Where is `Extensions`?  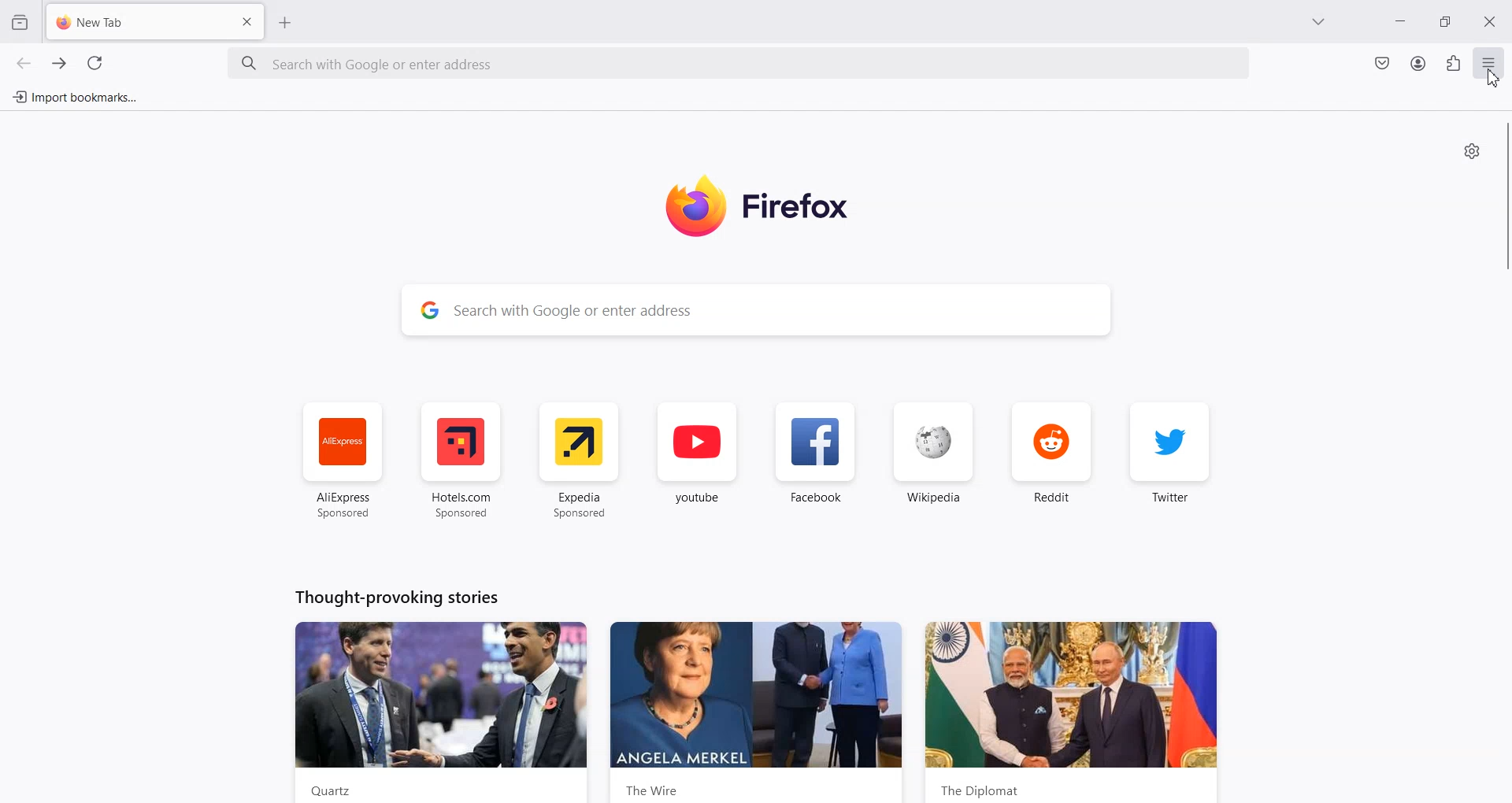 Extensions is located at coordinates (1453, 63).